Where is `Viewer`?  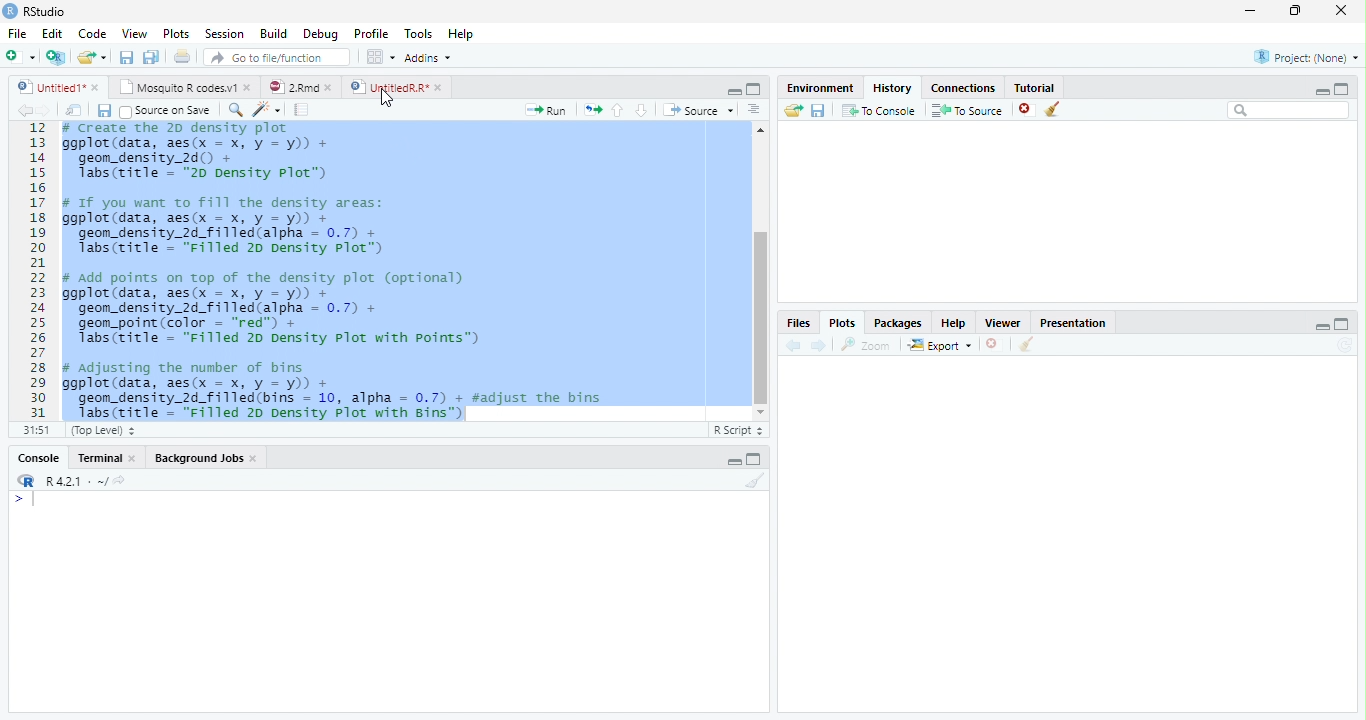 Viewer is located at coordinates (1001, 322).